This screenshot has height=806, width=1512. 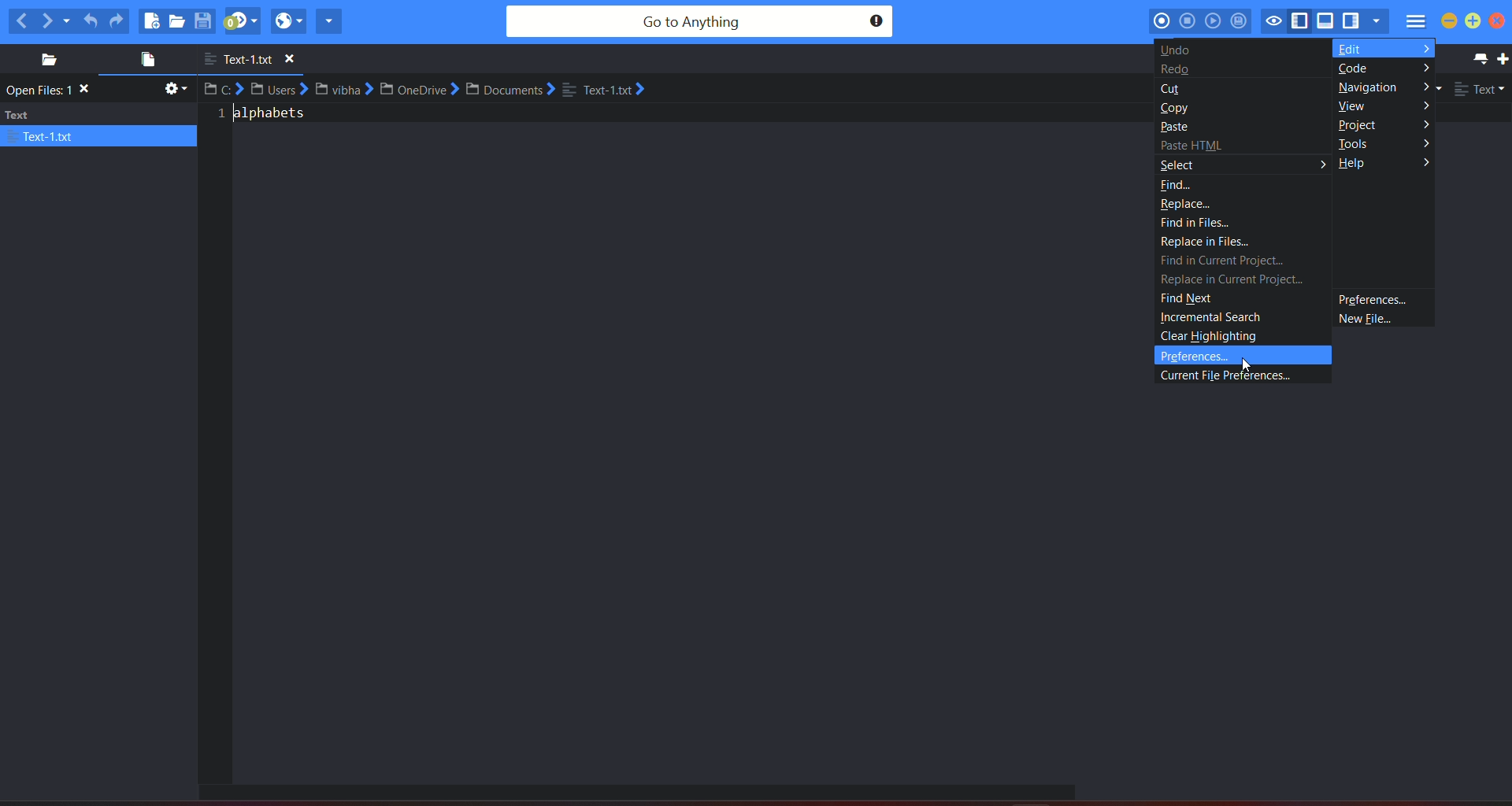 I want to click on open file, so click(x=143, y=61).